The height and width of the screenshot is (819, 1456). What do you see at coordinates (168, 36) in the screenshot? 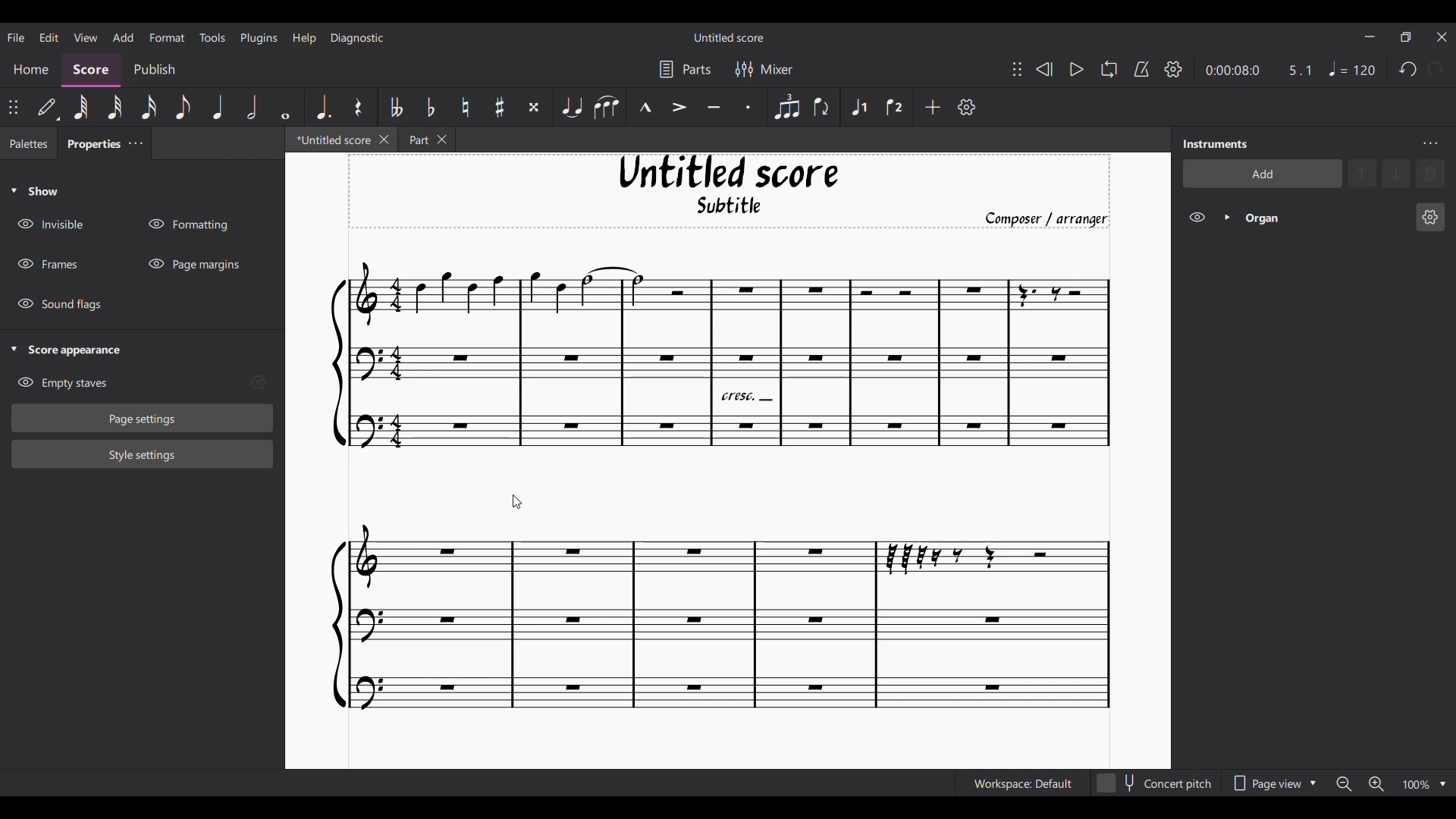
I see `Format menu` at bounding box center [168, 36].